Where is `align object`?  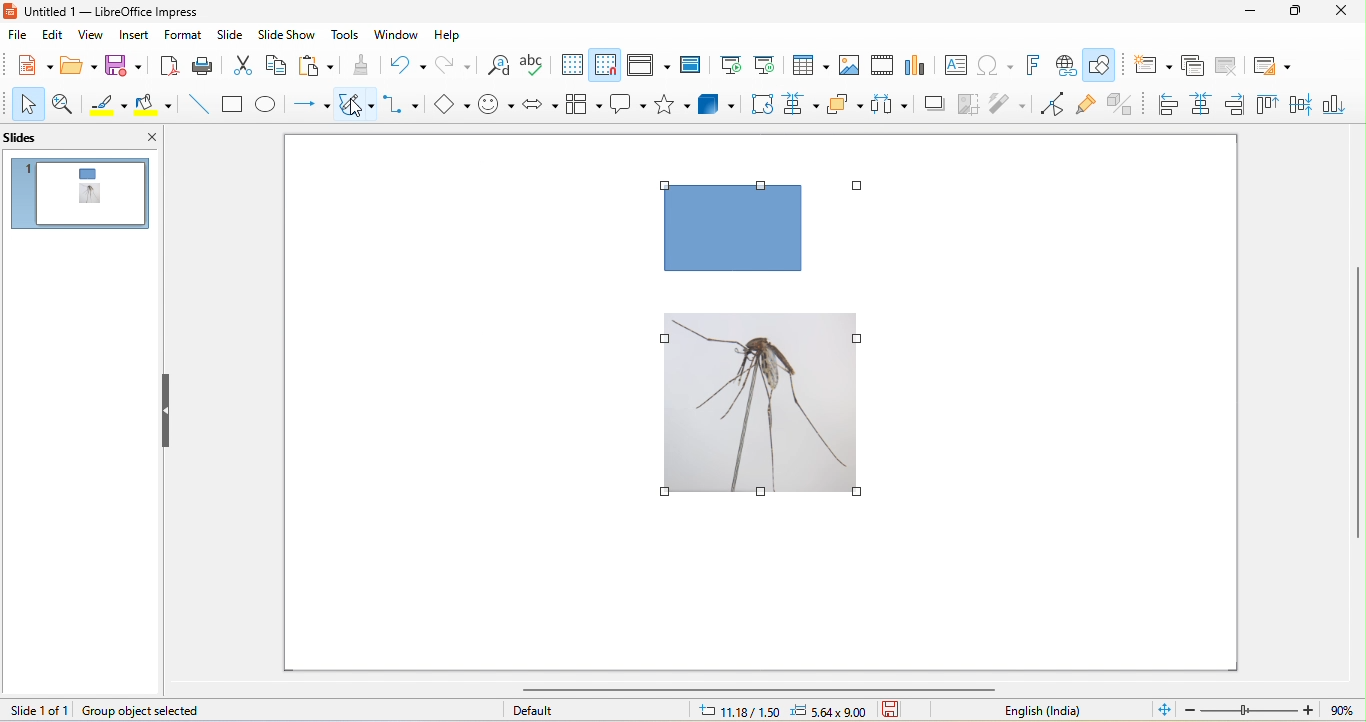 align object is located at coordinates (801, 106).